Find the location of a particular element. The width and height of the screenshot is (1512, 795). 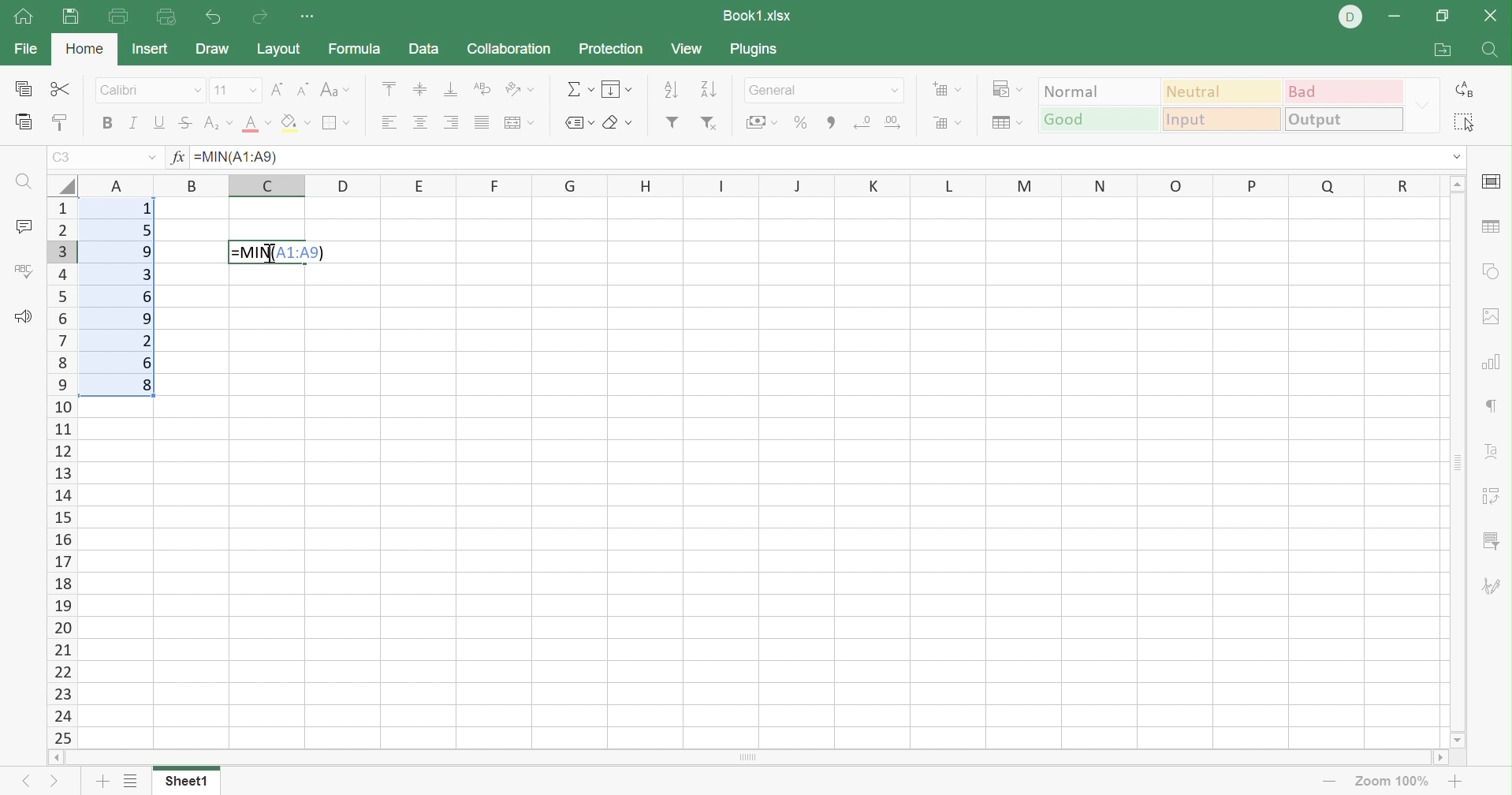

Text Art settings is located at coordinates (1494, 446).